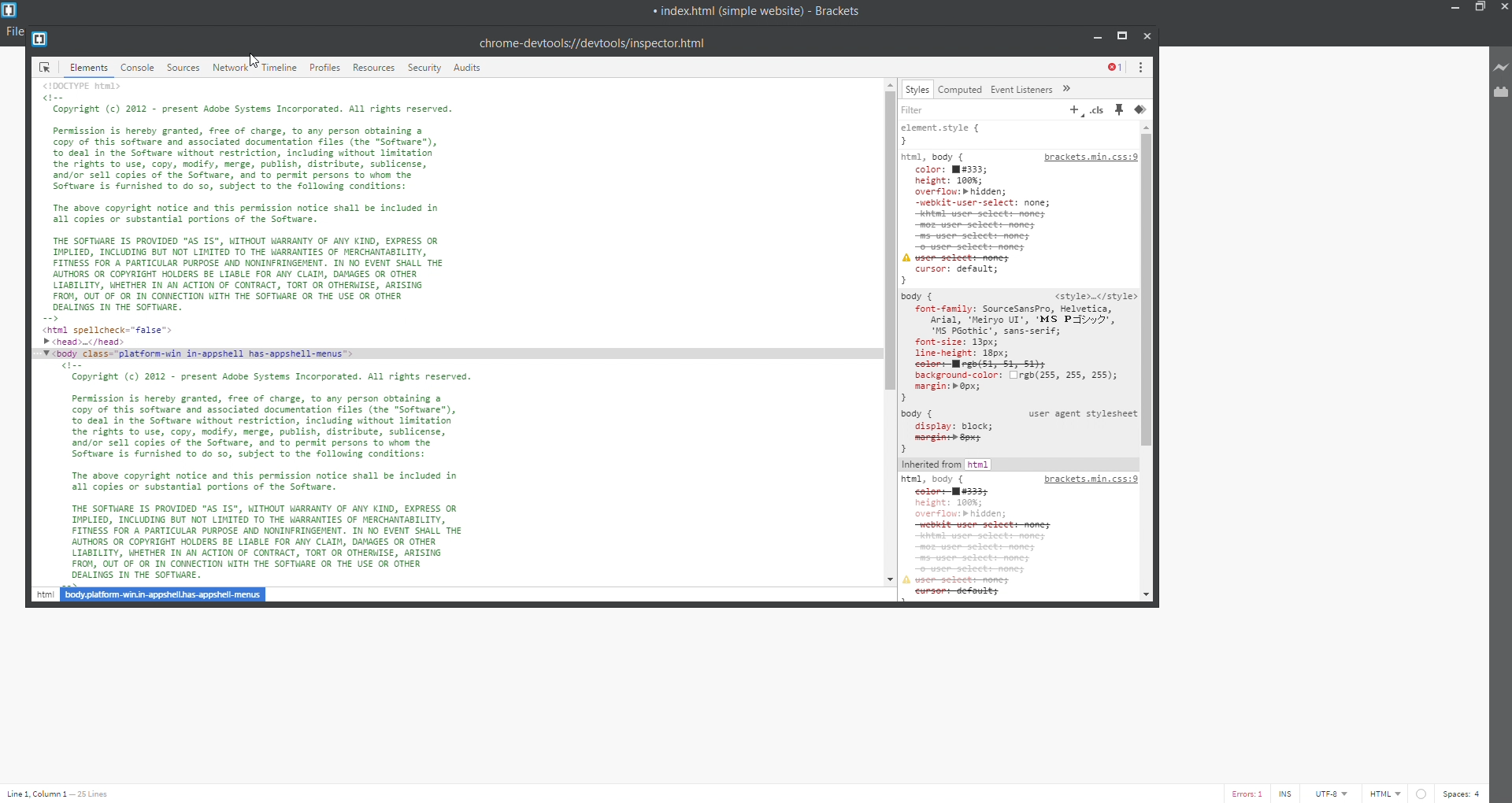  What do you see at coordinates (1503, 8) in the screenshot?
I see `close` at bounding box center [1503, 8].